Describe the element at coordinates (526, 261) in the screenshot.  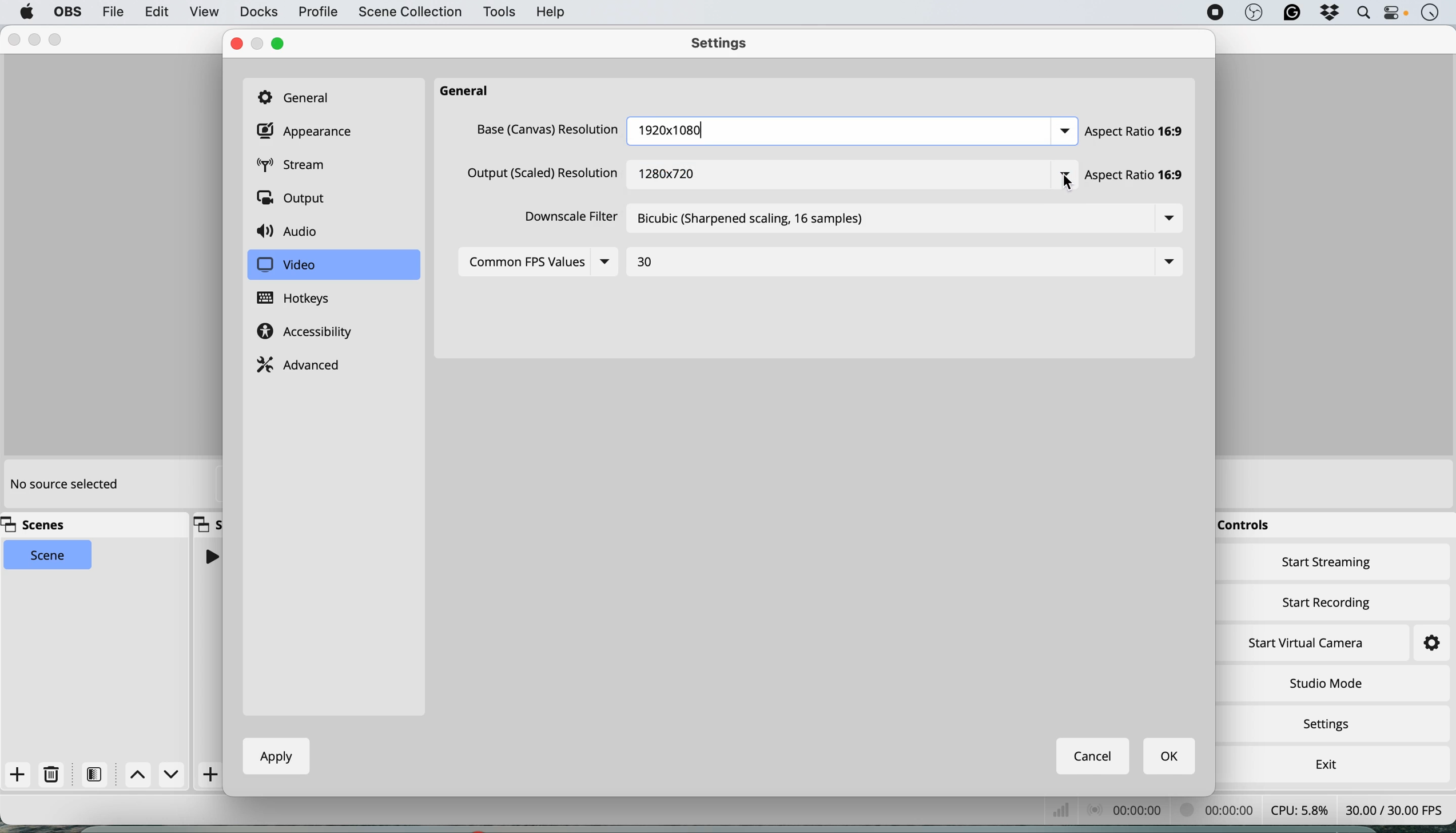
I see `common fps value` at that location.